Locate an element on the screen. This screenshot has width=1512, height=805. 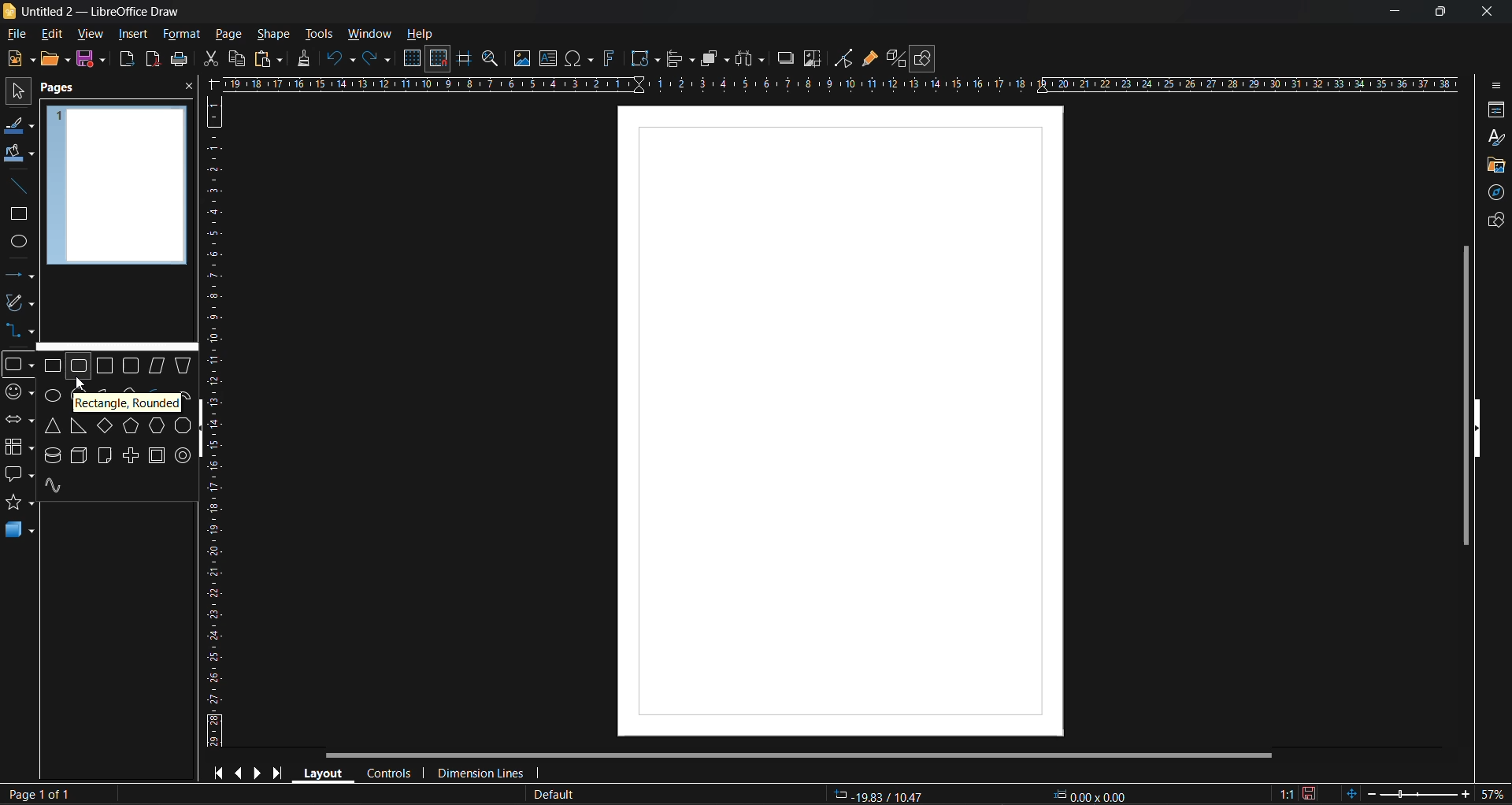
help is located at coordinates (421, 35).